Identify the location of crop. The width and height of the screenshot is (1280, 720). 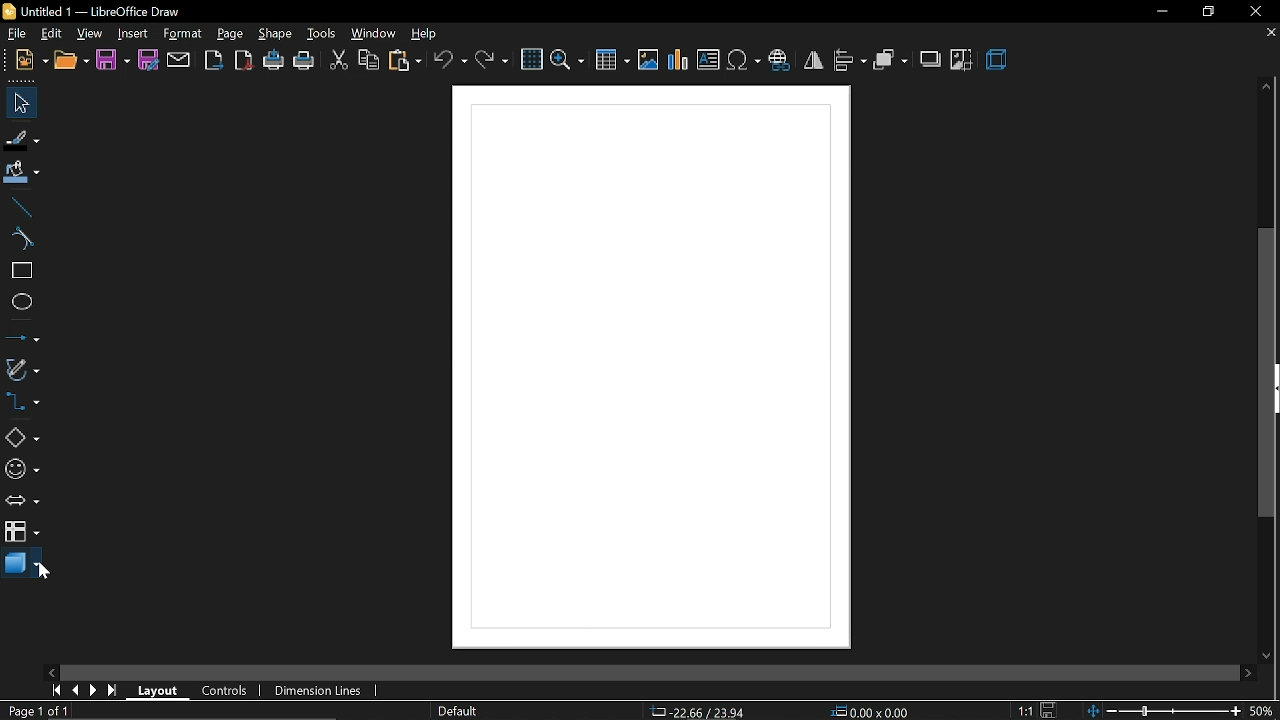
(960, 60).